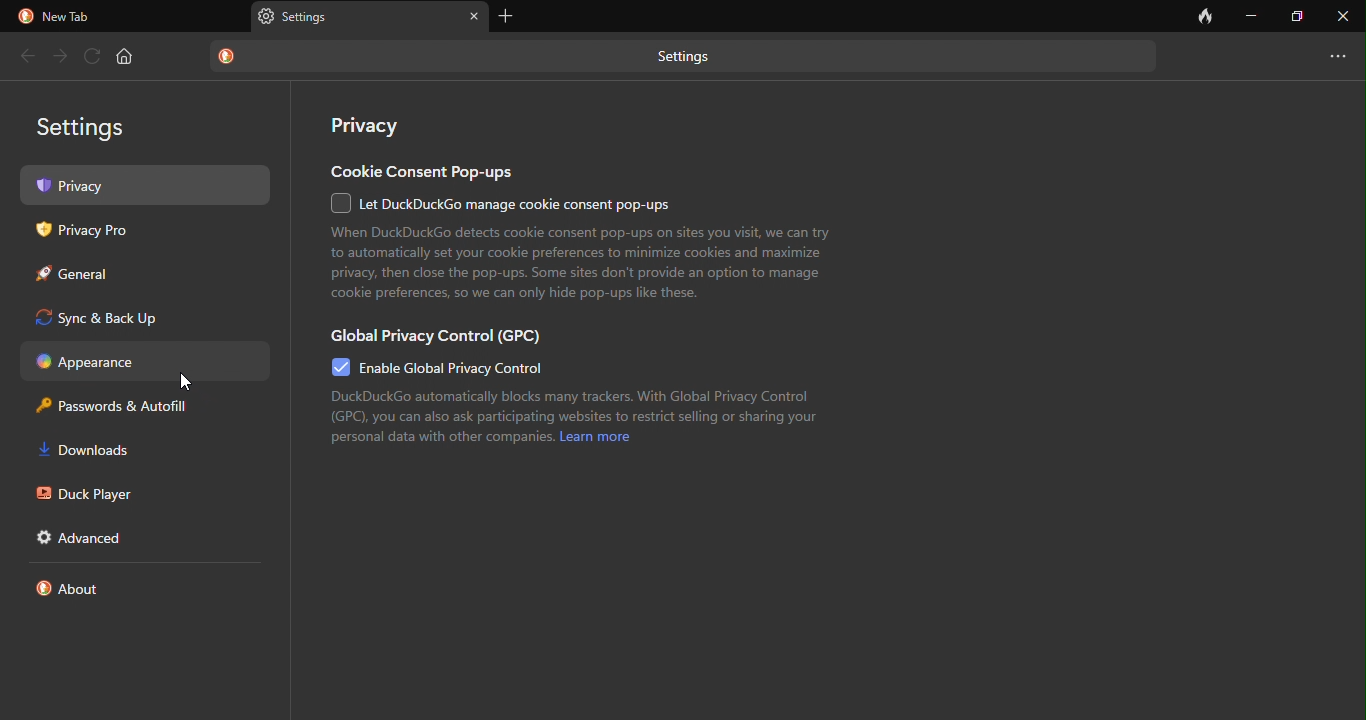  Describe the element at coordinates (521, 203) in the screenshot. I see `managing cookie consent pop-ups` at that location.